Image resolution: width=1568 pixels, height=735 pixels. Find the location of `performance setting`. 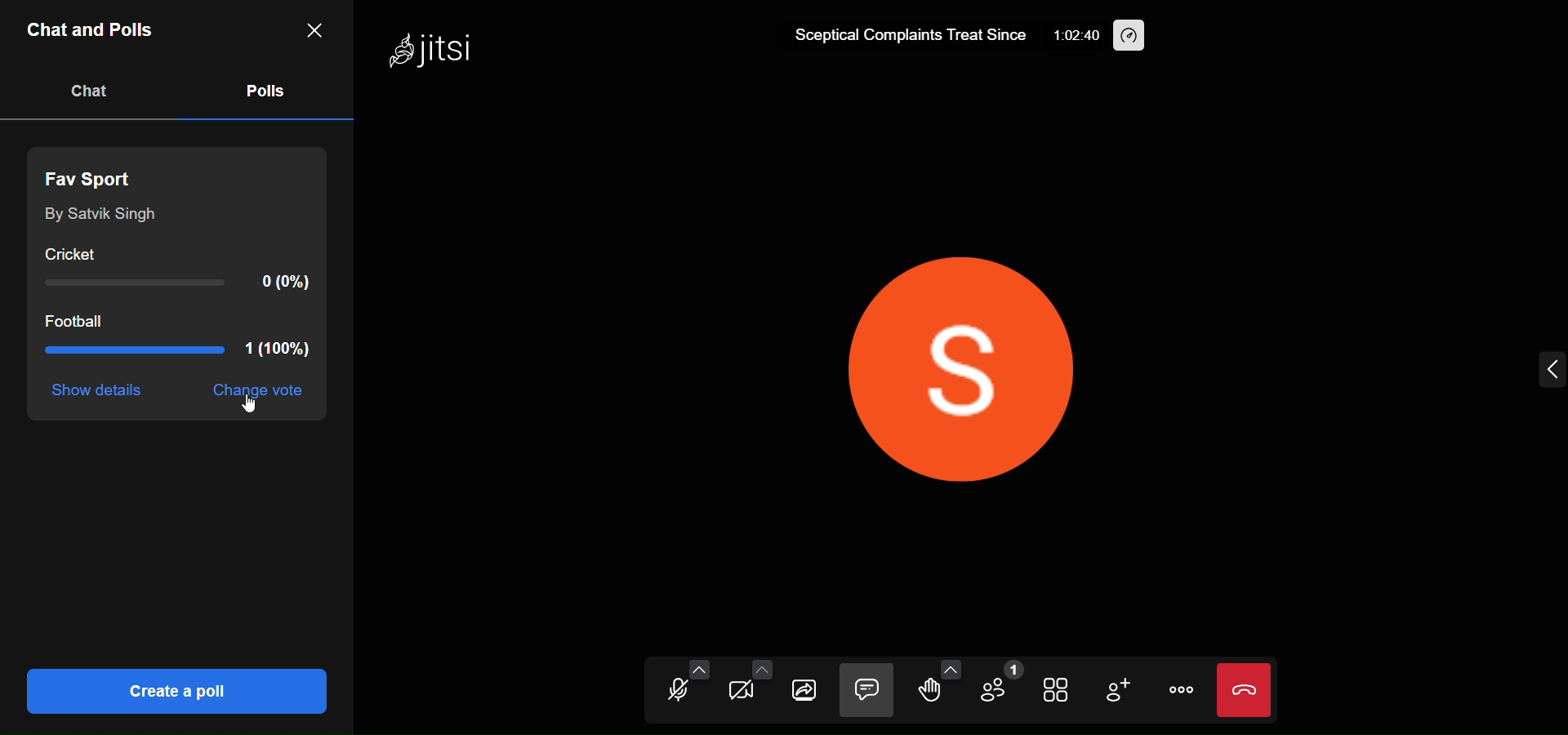

performance setting is located at coordinates (1131, 36).